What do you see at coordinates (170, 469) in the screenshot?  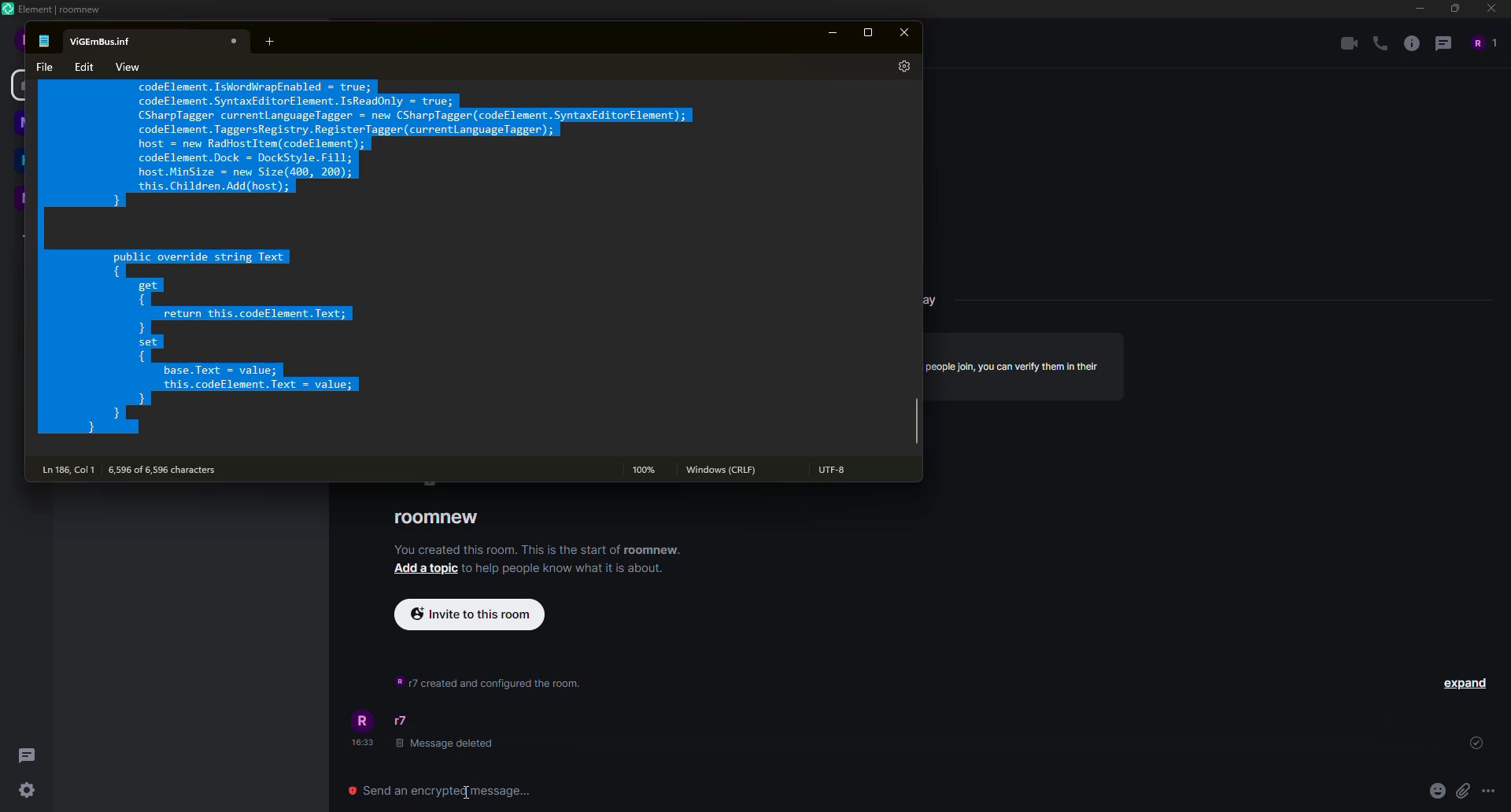 I see `characters` at bounding box center [170, 469].